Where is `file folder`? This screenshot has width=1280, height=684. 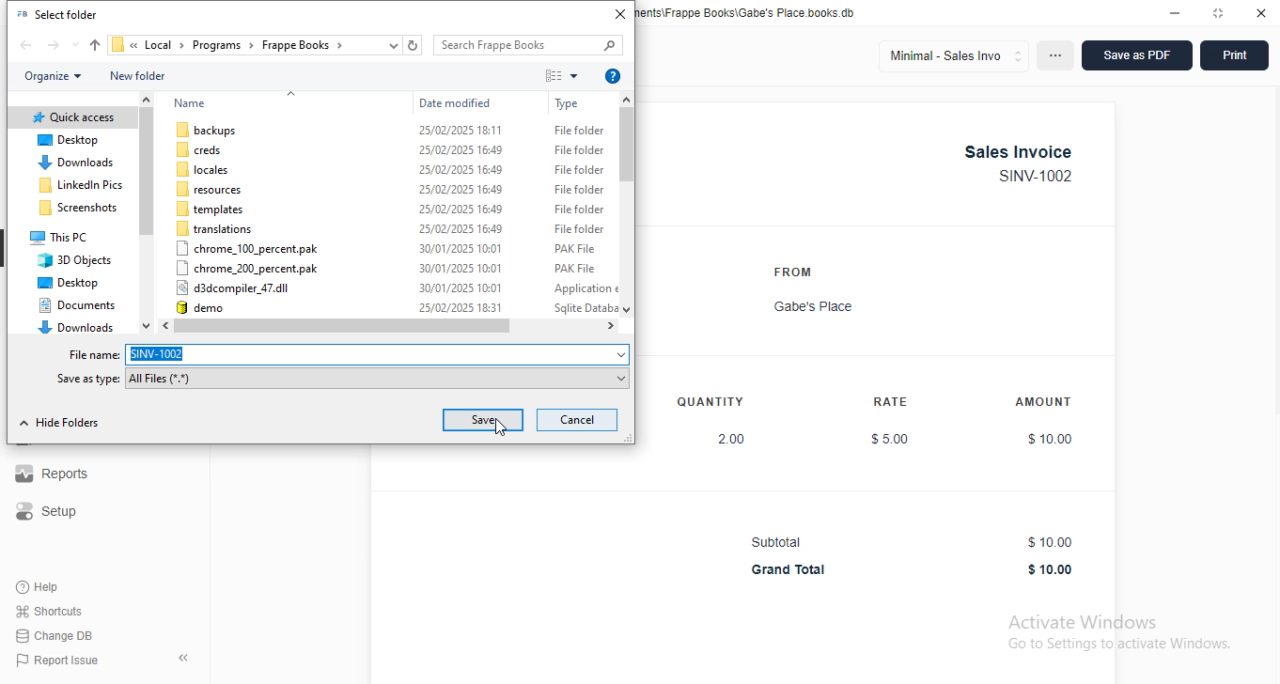
file folder is located at coordinates (580, 130).